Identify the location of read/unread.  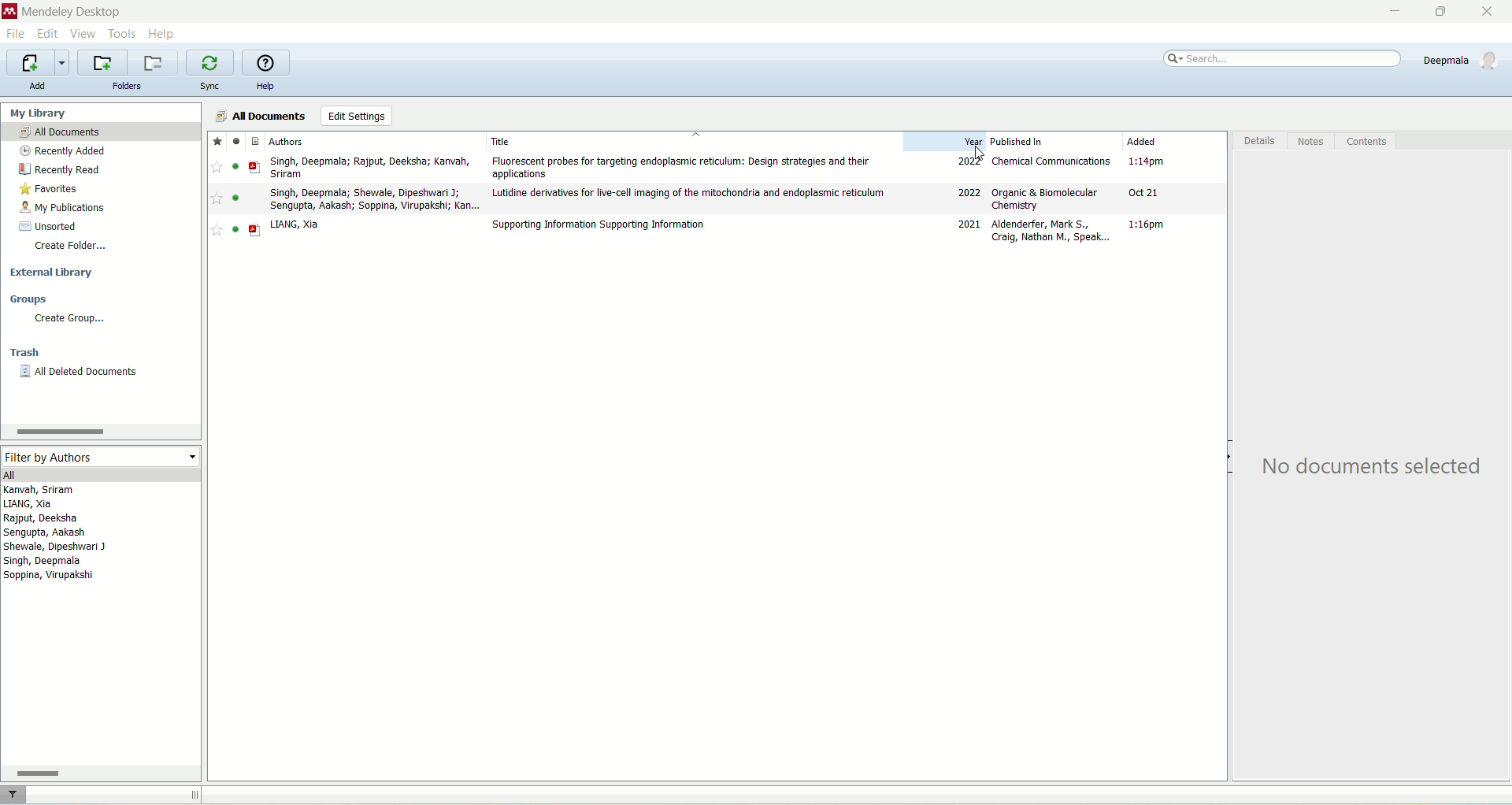
(232, 228).